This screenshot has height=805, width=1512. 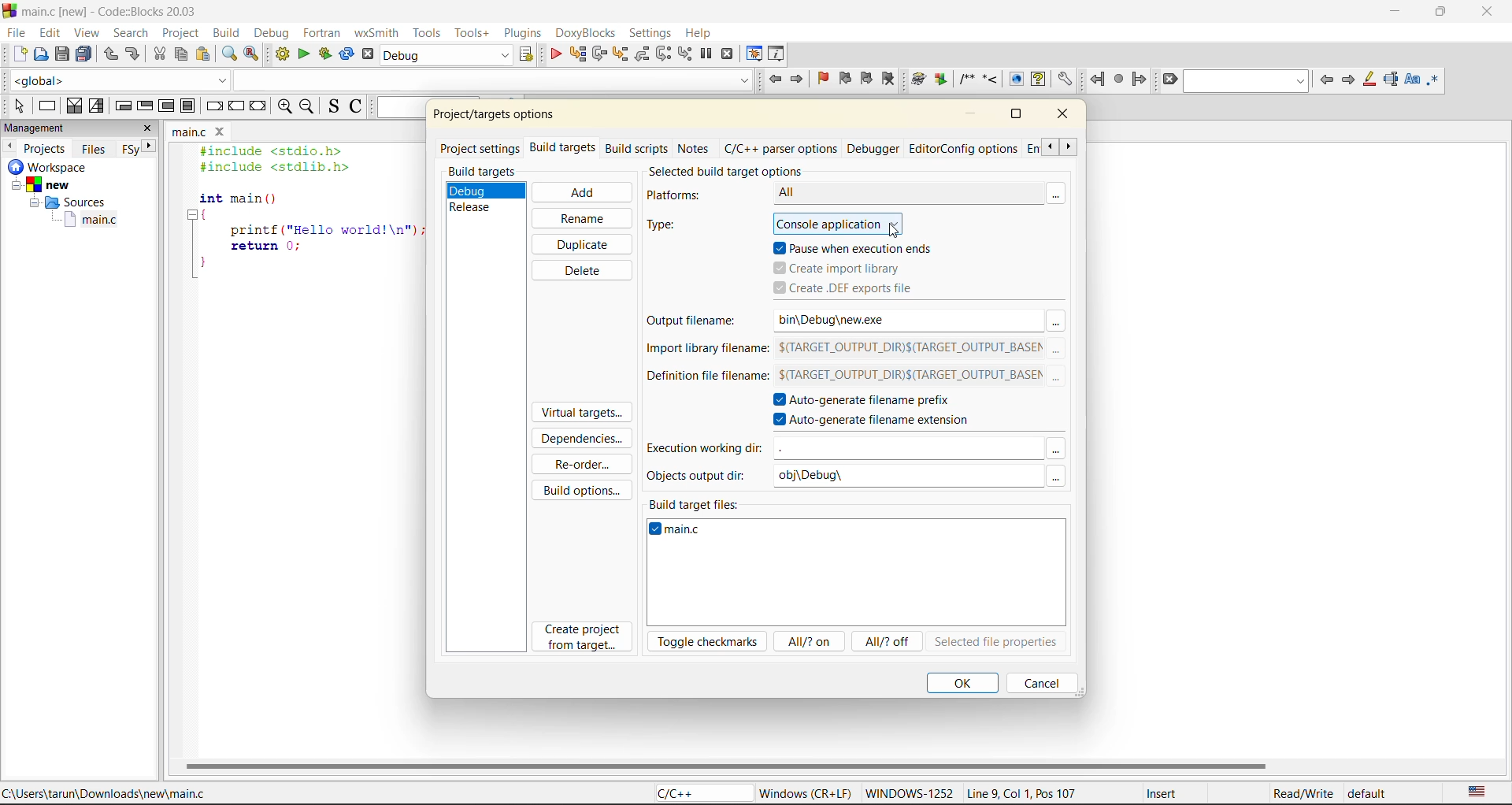 I want to click on all/?off, so click(x=885, y=640).